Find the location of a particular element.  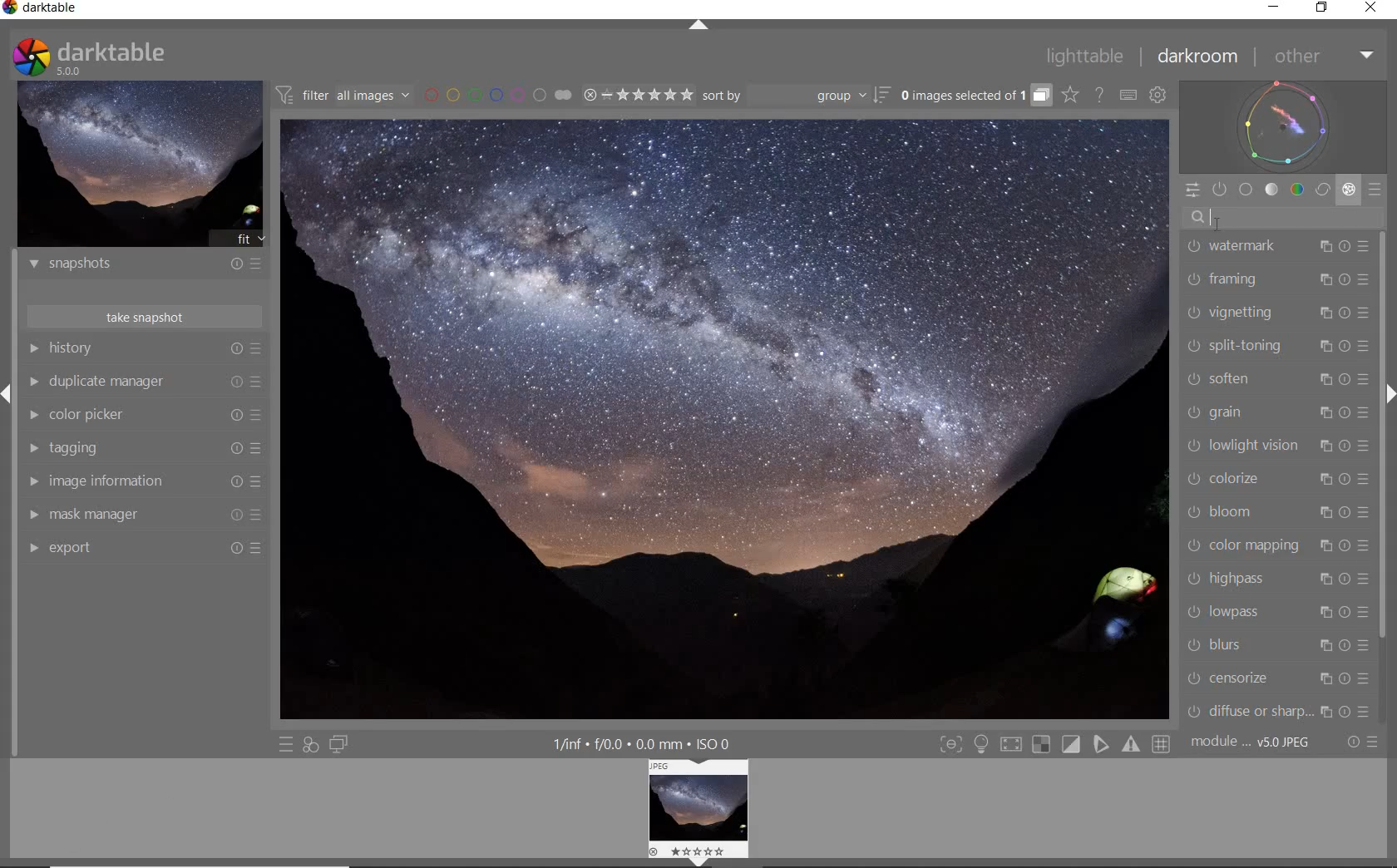

reset parameters is located at coordinates (1346, 609).